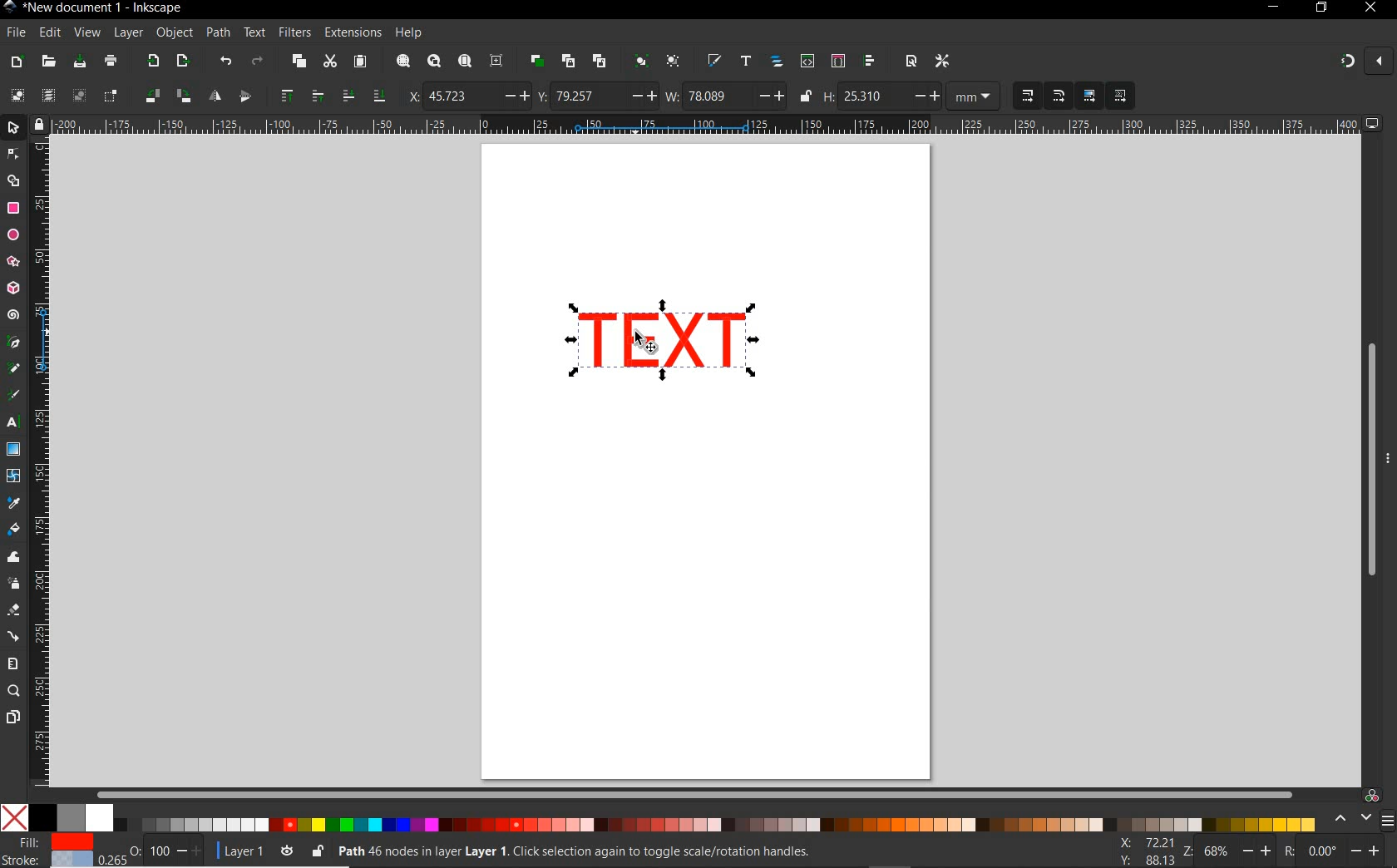  Describe the element at coordinates (14, 209) in the screenshot. I see `RECTANGLE TOOL` at that location.